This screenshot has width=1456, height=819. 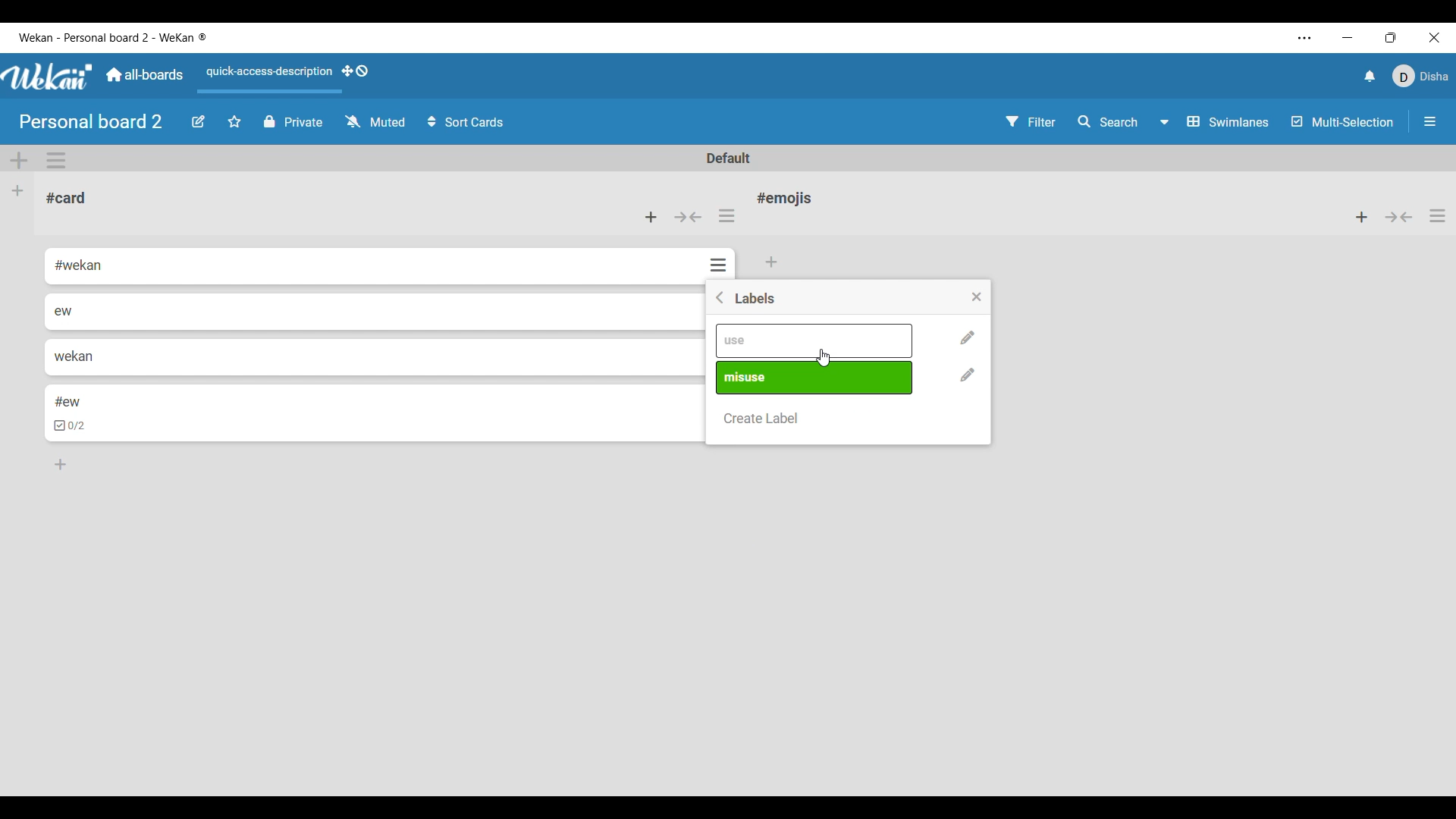 What do you see at coordinates (1106, 121) in the screenshot?
I see `Search` at bounding box center [1106, 121].